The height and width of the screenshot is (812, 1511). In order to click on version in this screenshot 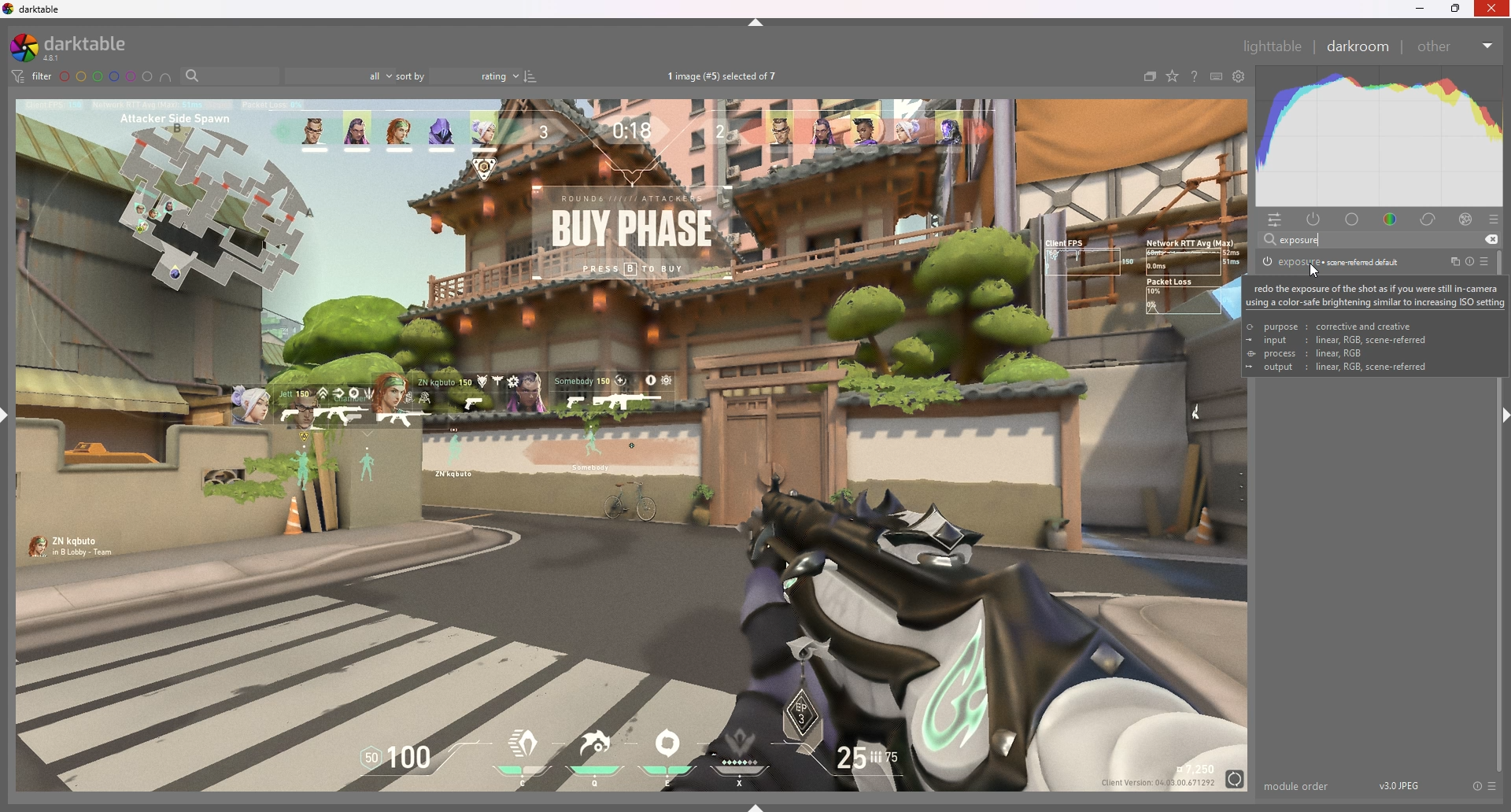, I will do `click(1400, 784)`.